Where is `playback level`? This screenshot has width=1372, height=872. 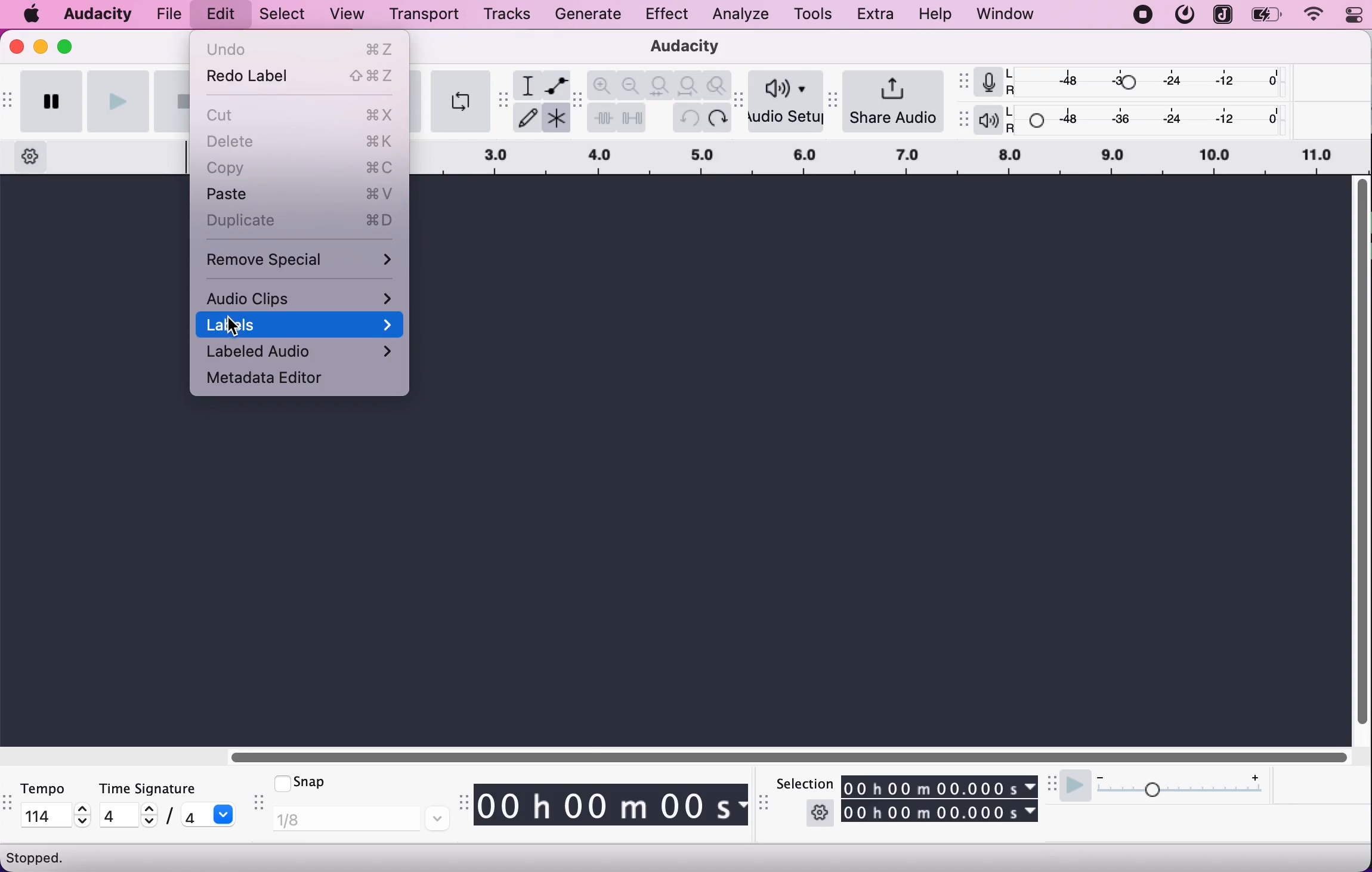
playback level is located at coordinates (1149, 118).